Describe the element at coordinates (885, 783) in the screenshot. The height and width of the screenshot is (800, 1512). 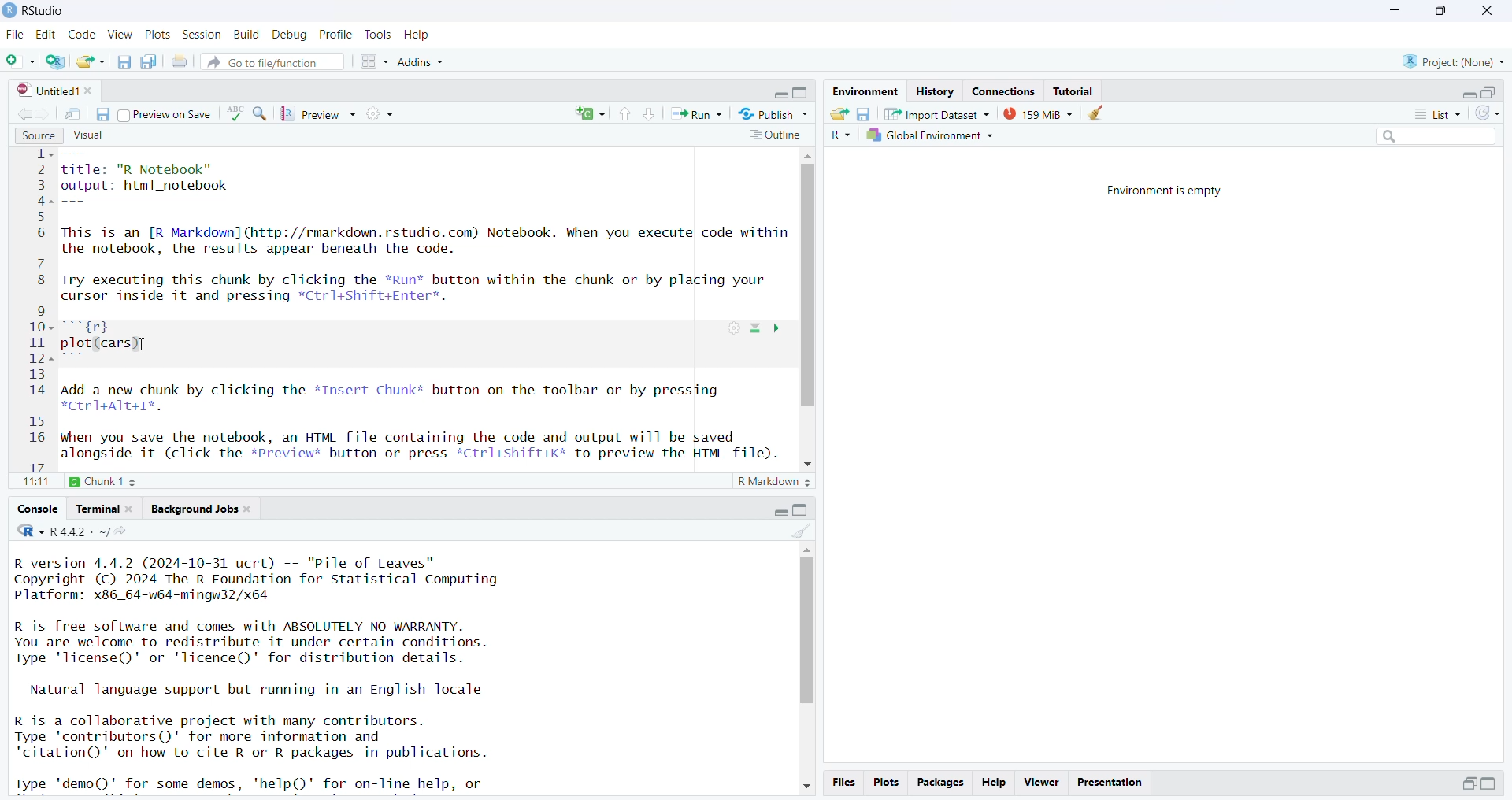
I see `plots` at that location.